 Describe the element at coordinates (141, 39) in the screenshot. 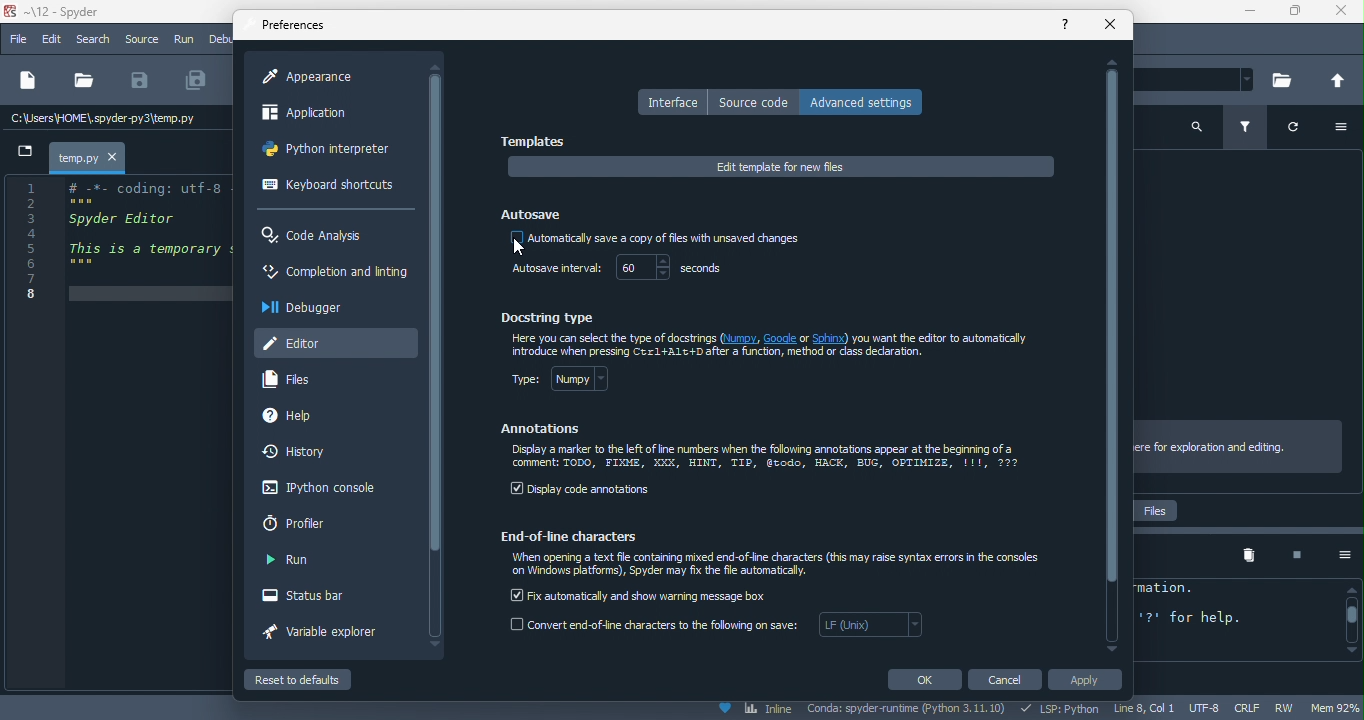

I see `source` at that location.